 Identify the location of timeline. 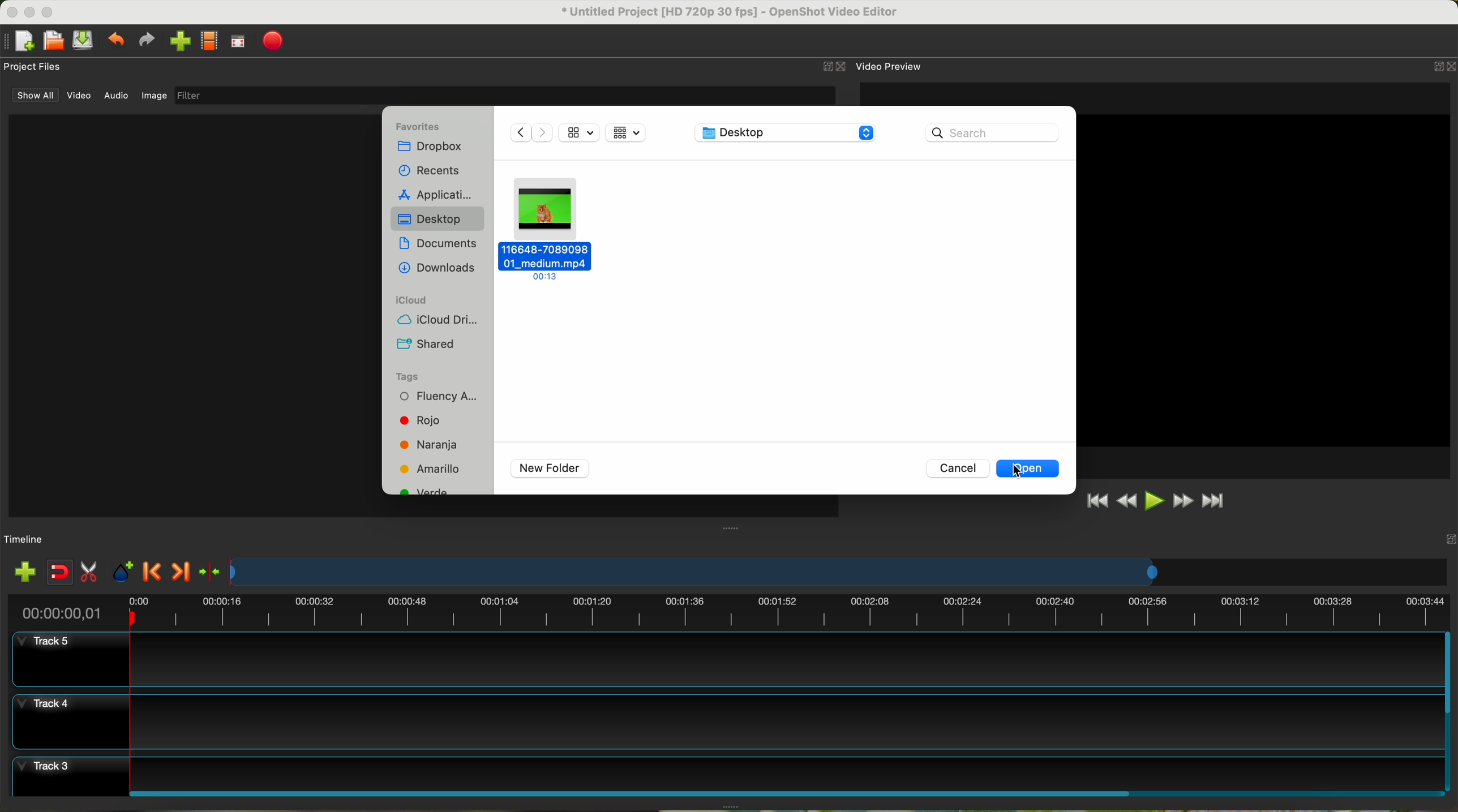
(727, 610).